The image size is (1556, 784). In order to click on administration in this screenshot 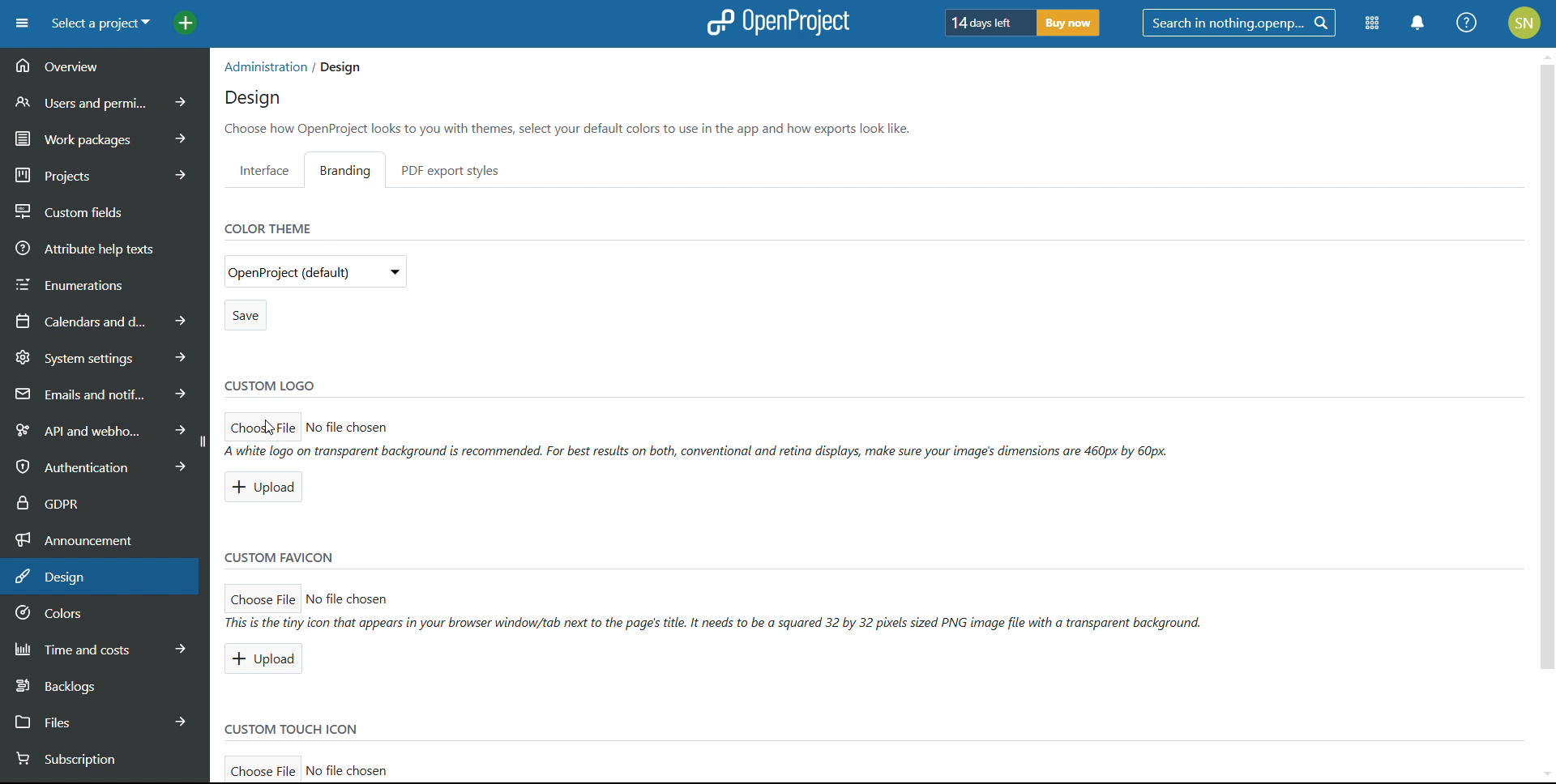, I will do `click(263, 66)`.